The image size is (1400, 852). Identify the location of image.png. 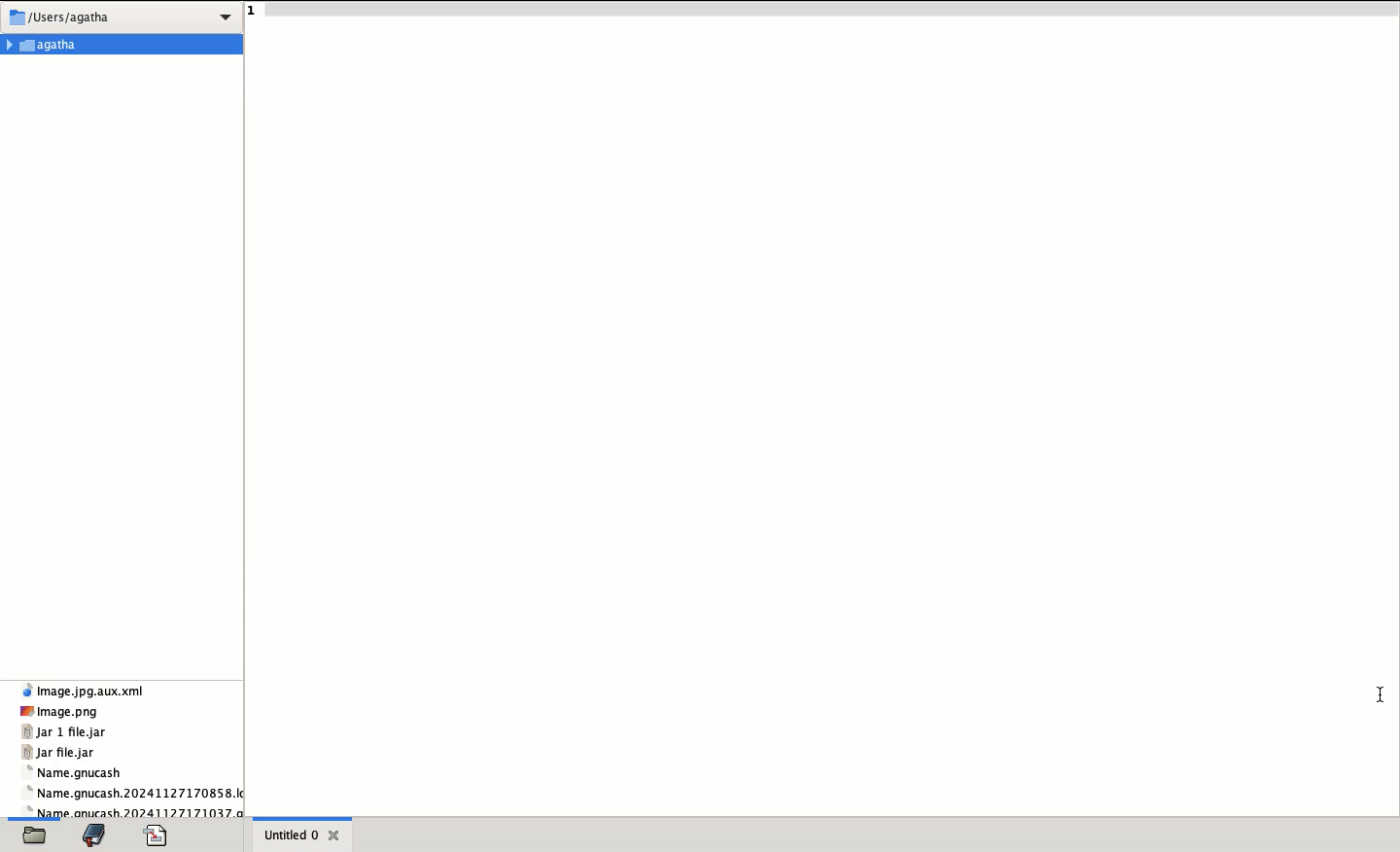
(60, 712).